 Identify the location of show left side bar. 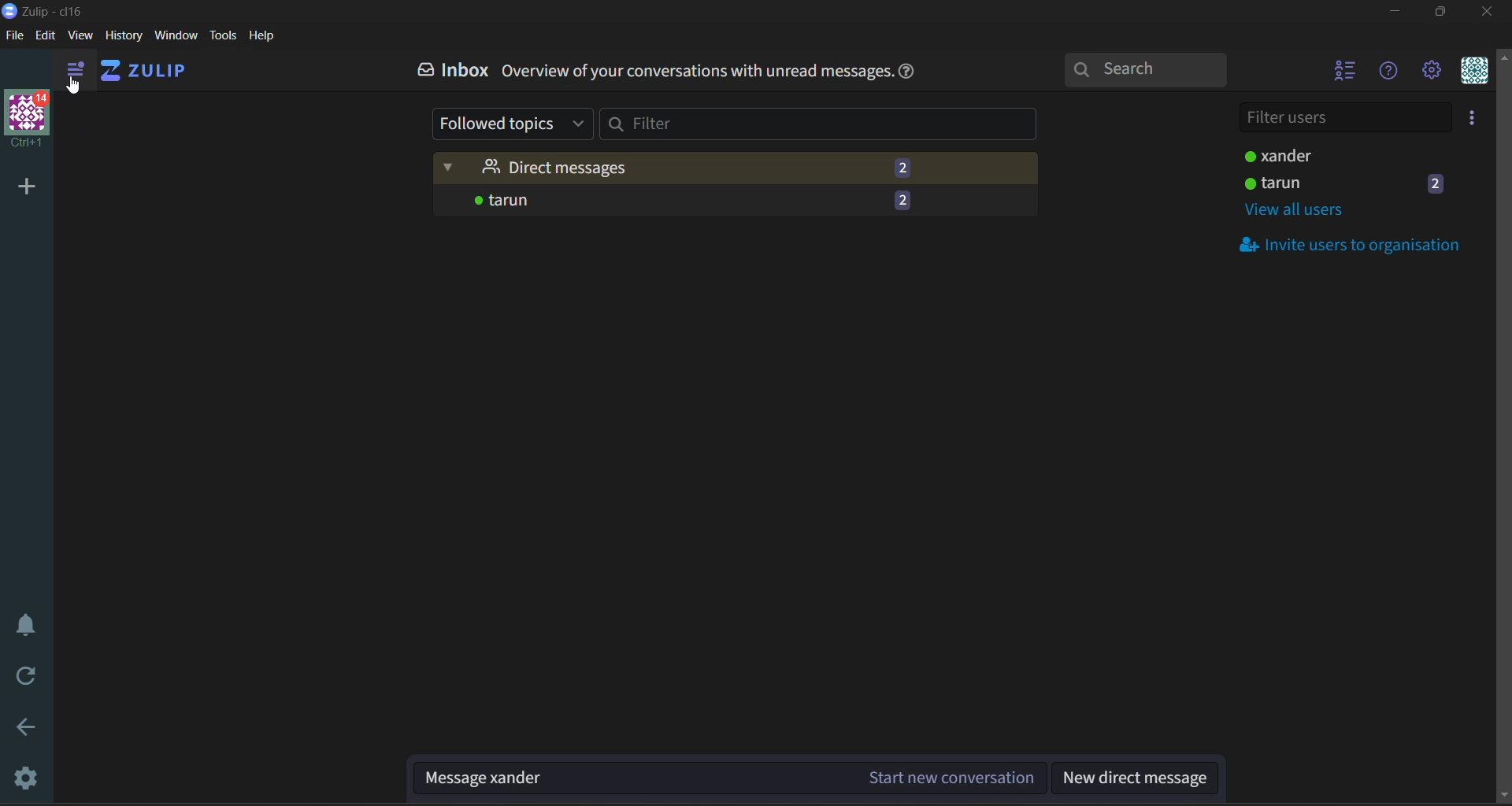
(72, 72).